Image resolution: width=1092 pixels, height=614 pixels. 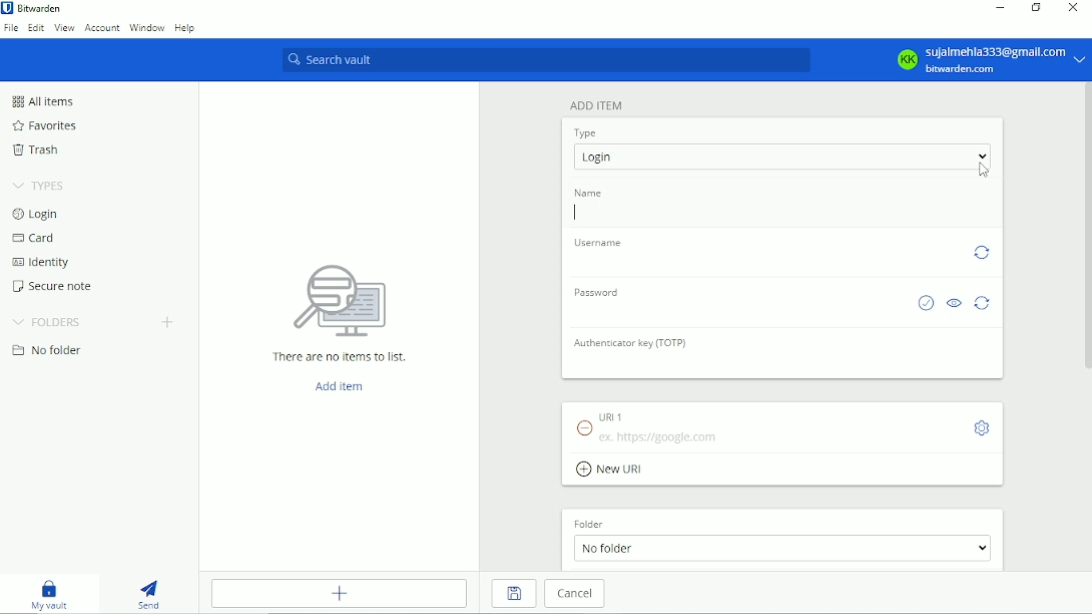 What do you see at coordinates (44, 126) in the screenshot?
I see `Favorites` at bounding box center [44, 126].